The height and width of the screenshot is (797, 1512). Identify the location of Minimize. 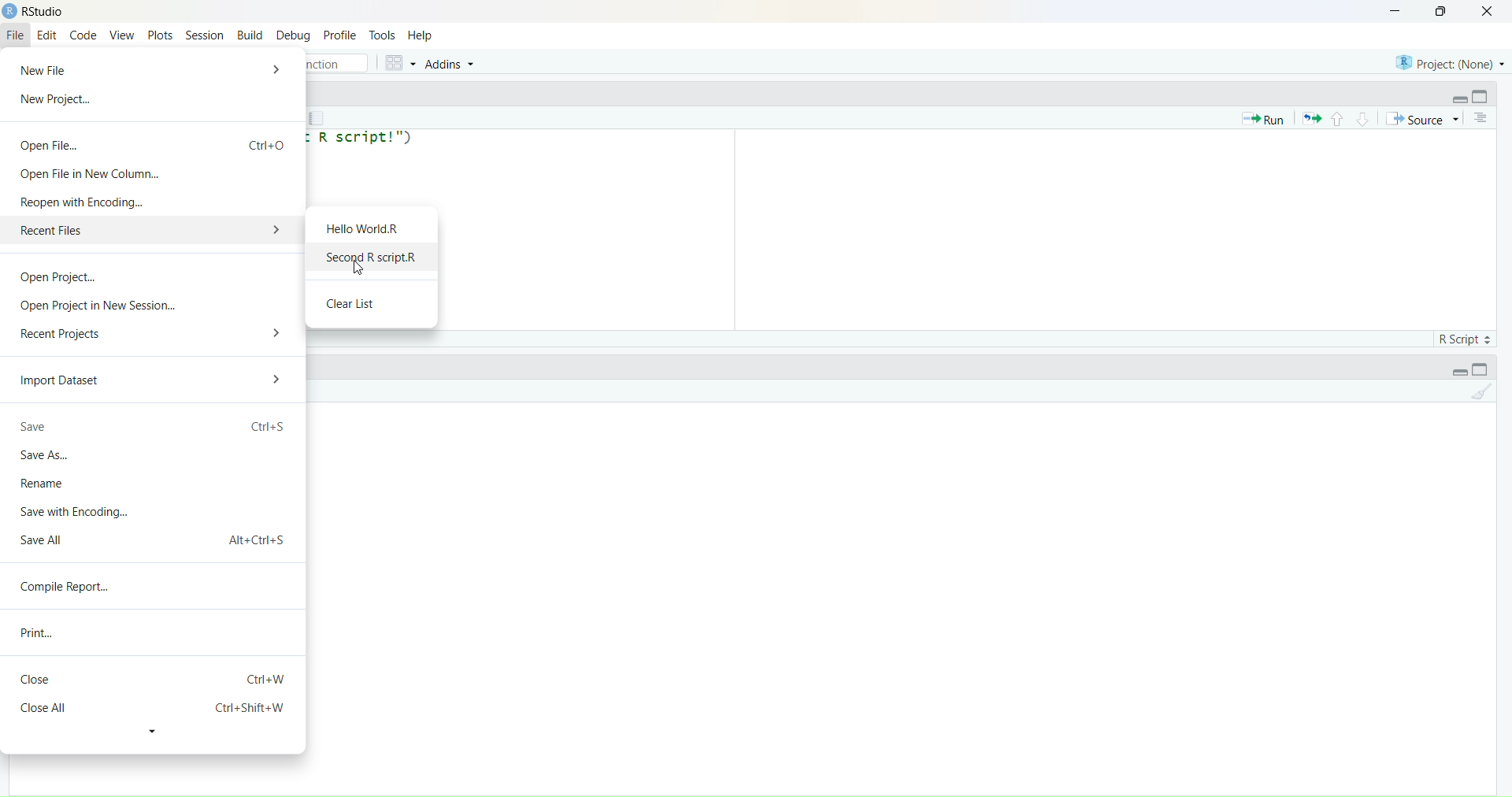
(1454, 97).